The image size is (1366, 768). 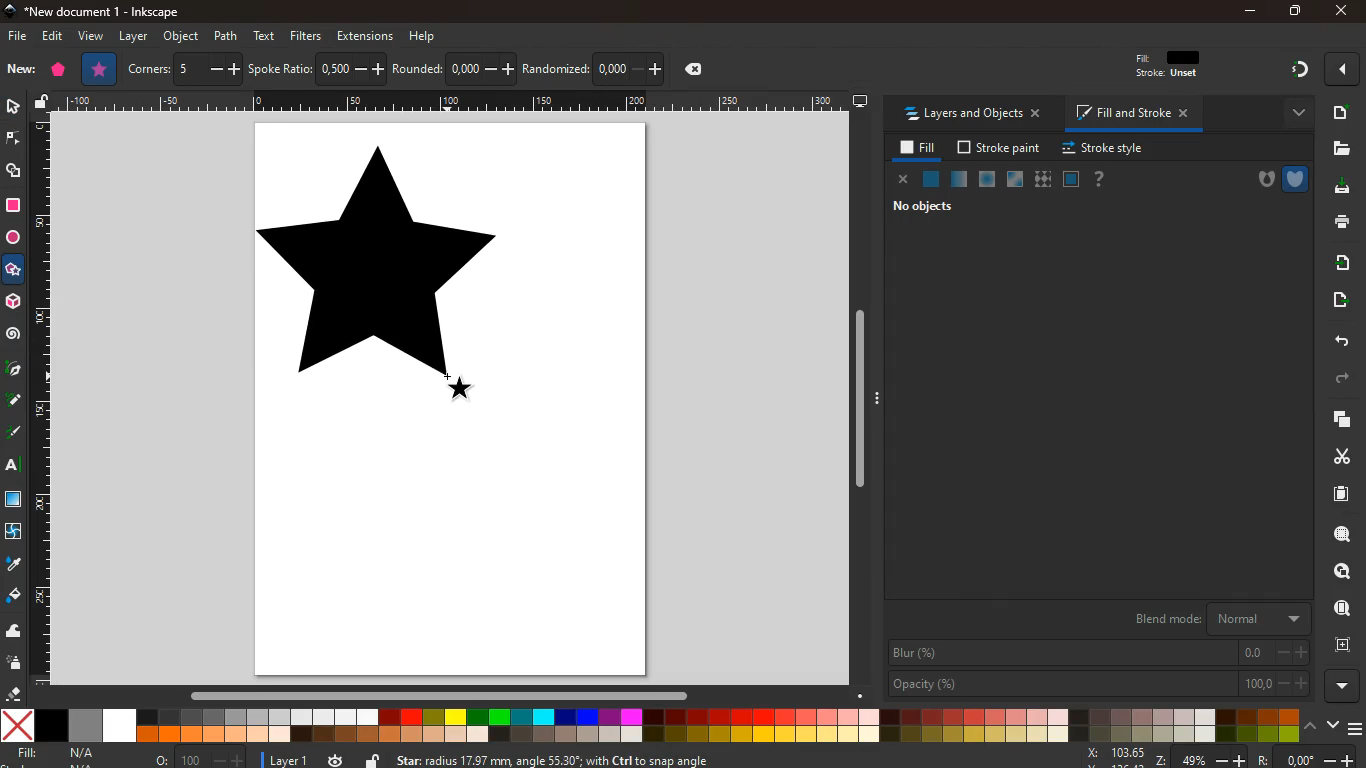 I want to click on up, so click(x=1310, y=725).